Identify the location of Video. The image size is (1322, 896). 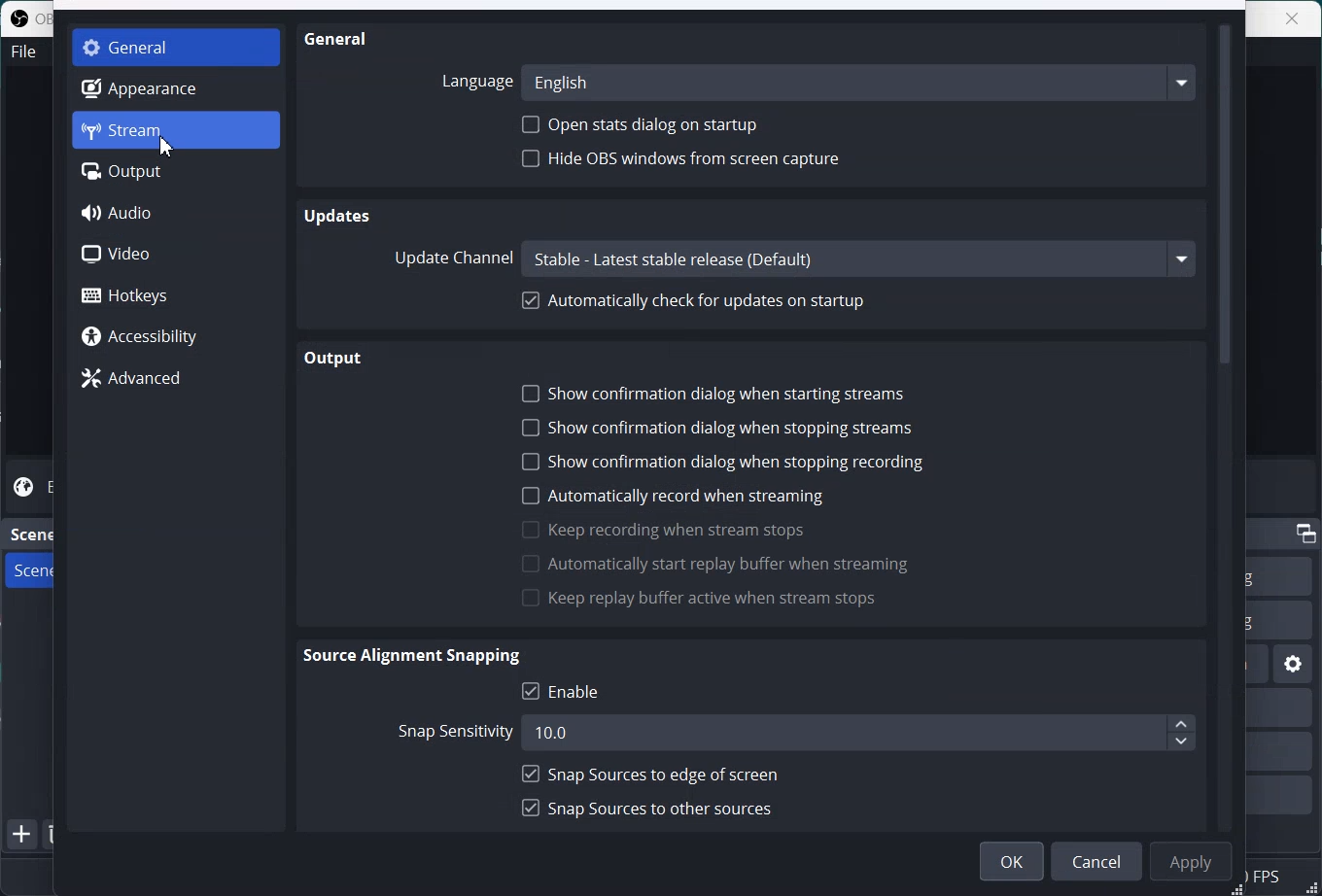
(176, 254).